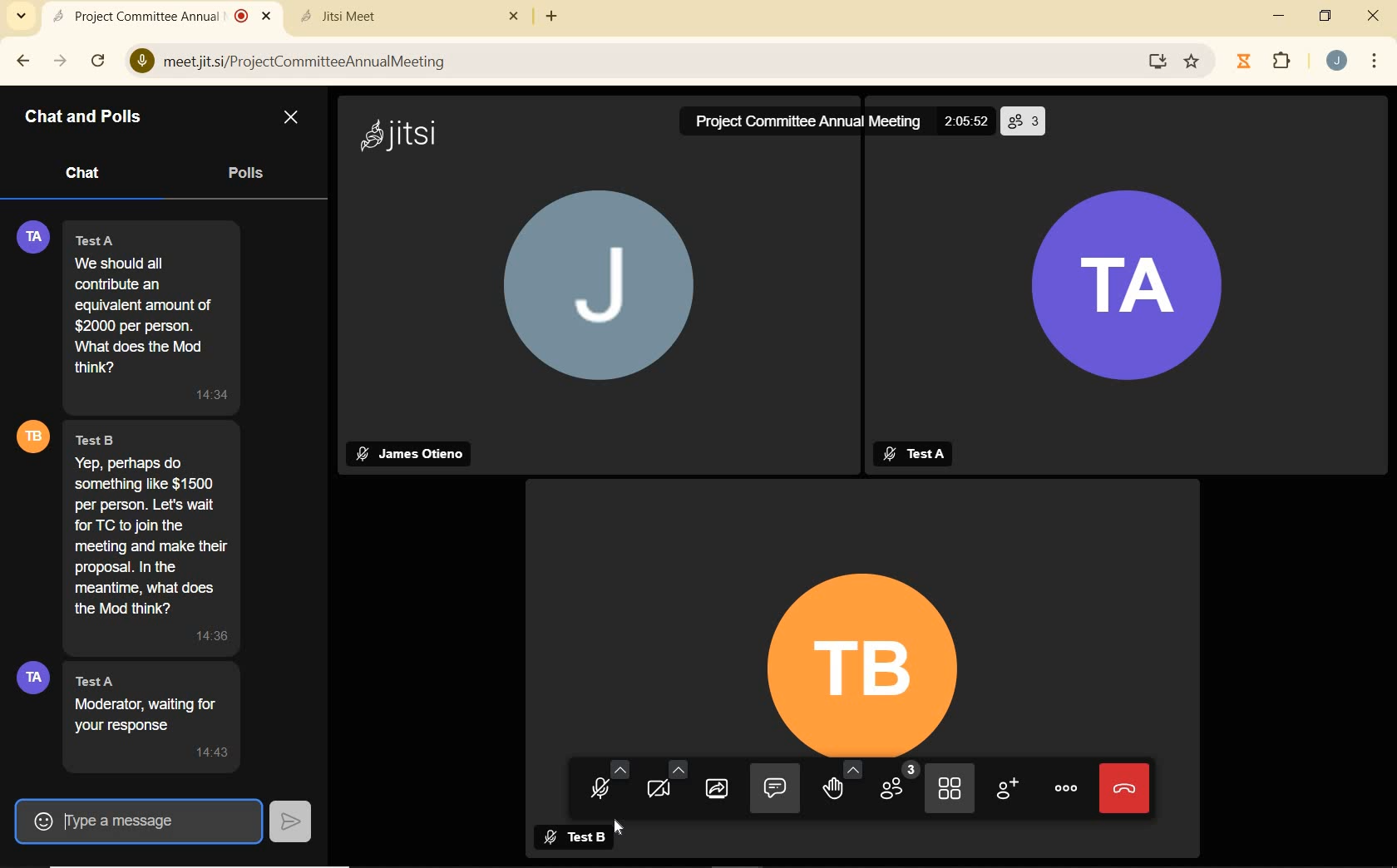  Describe the element at coordinates (924, 452) in the screenshot. I see `Test A` at that location.